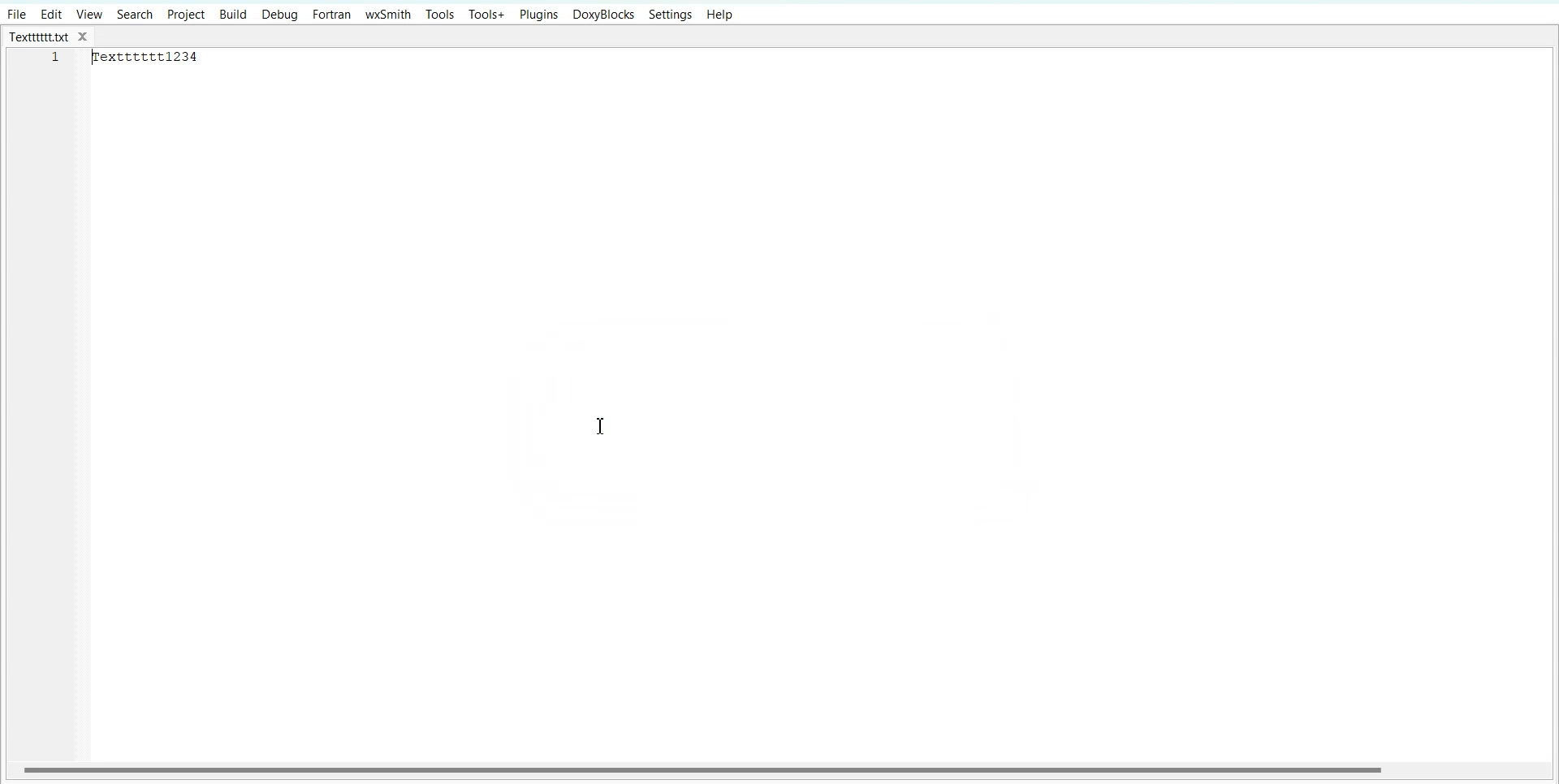 Image resolution: width=1559 pixels, height=784 pixels. Describe the element at coordinates (603, 15) in the screenshot. I see `DoxyBlocks` at that location.